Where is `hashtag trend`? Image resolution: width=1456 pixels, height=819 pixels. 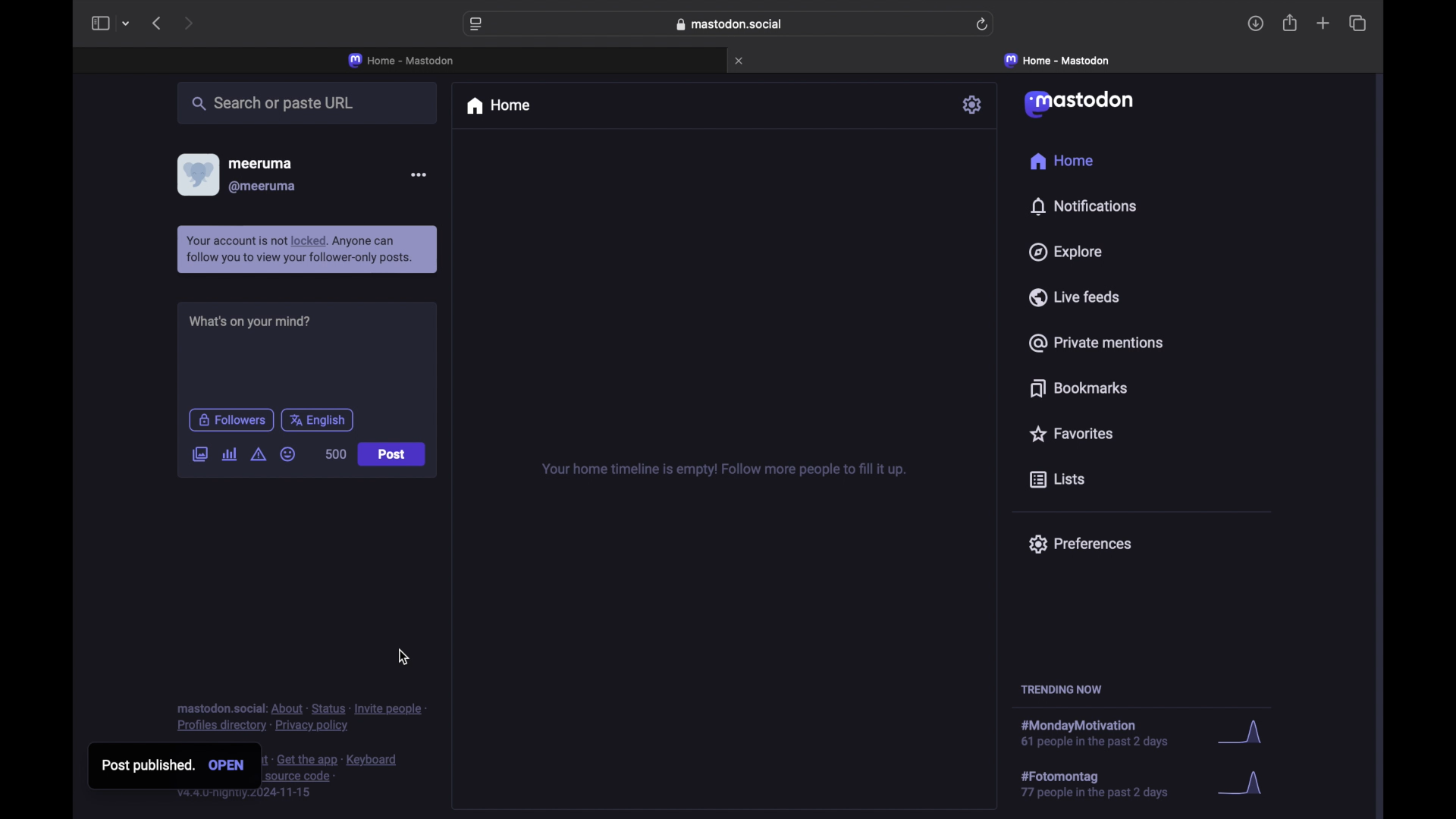
hashtag trend is located at coordinates (1106, 730).